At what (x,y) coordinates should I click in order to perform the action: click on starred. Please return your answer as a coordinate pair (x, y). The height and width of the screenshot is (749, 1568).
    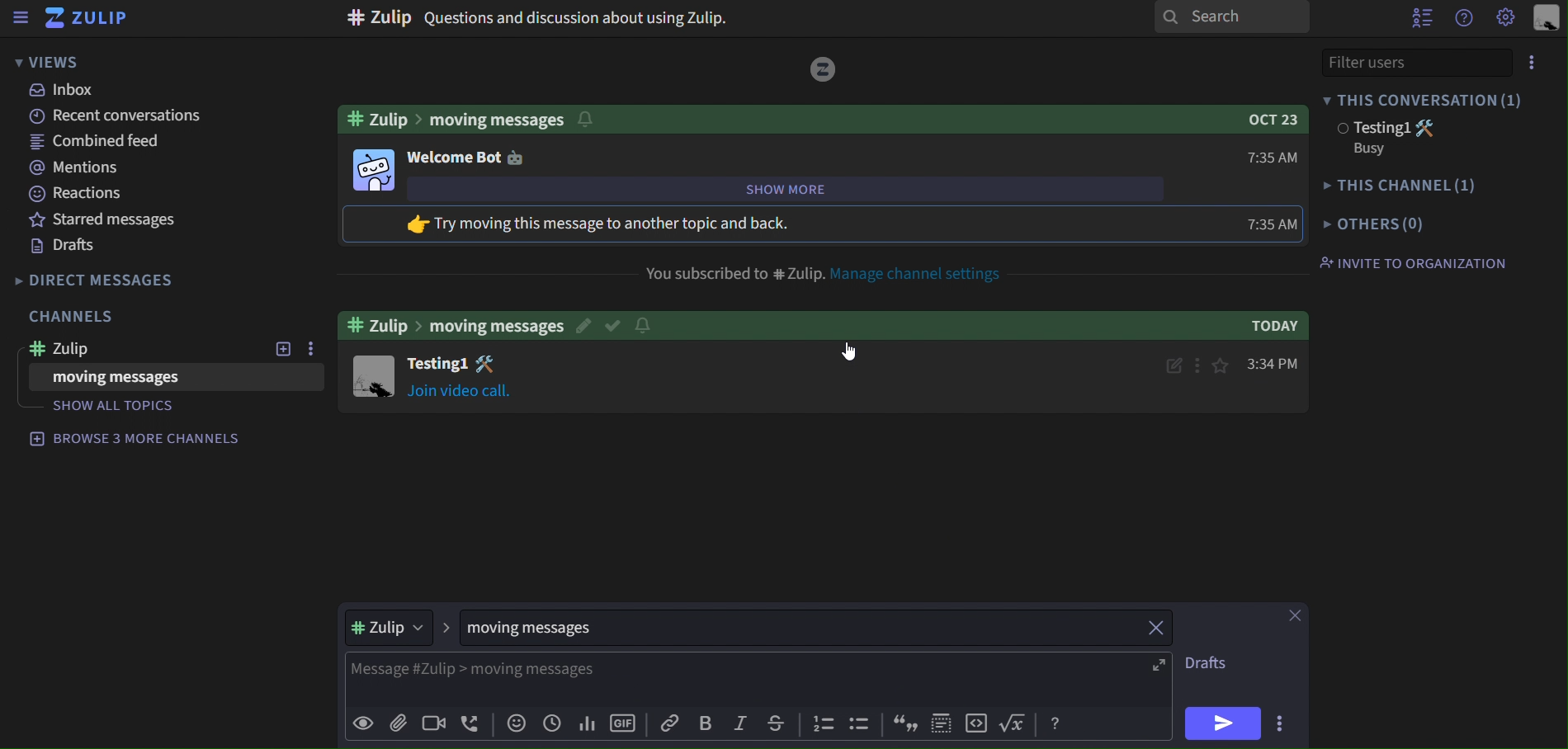
    Looking at the image, I should click on (1223, 363).